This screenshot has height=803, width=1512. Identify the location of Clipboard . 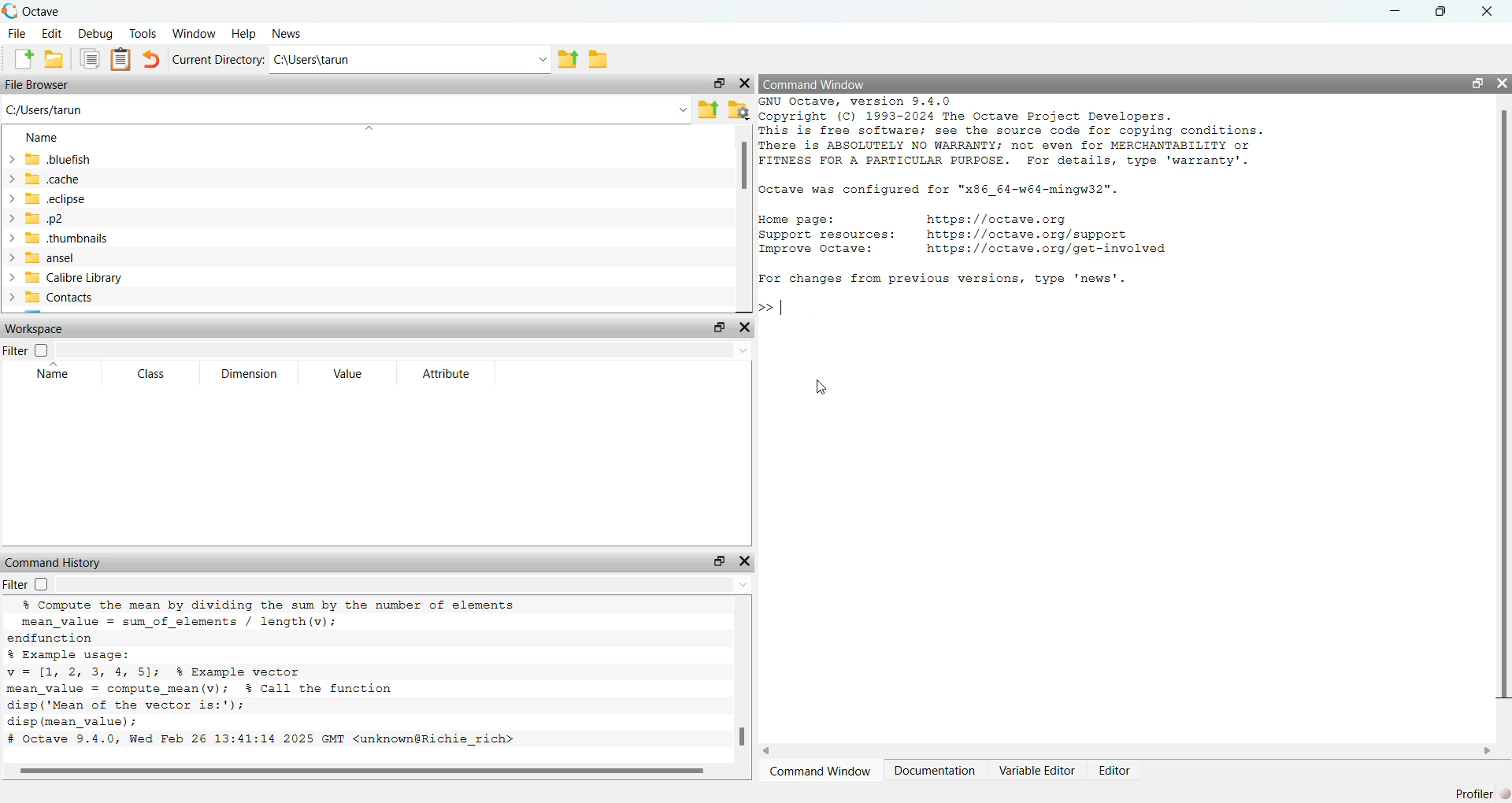
(121, 60).